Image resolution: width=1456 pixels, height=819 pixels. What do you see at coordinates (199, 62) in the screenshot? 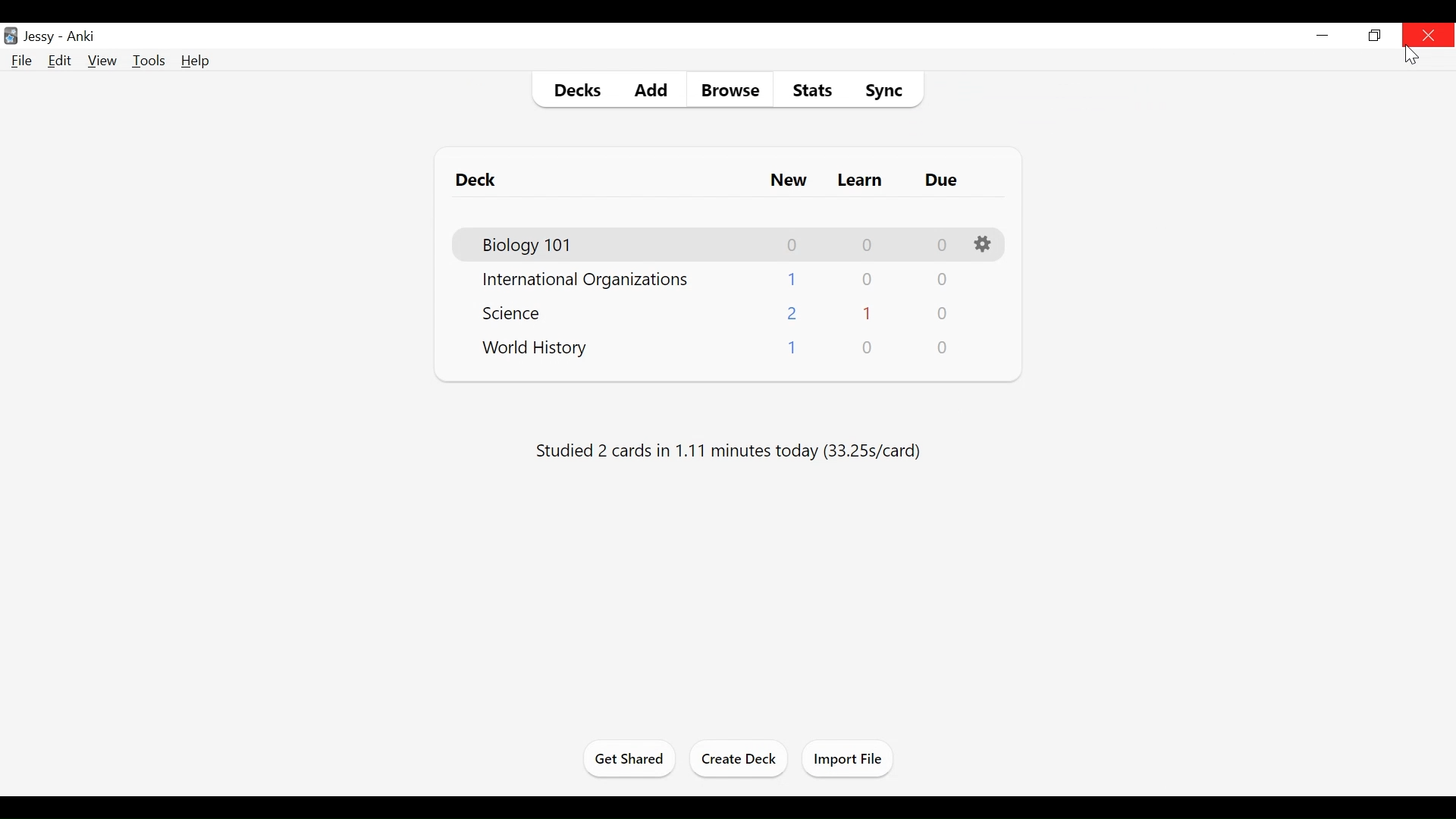
I see `Help` at bounding box center [199, 62].